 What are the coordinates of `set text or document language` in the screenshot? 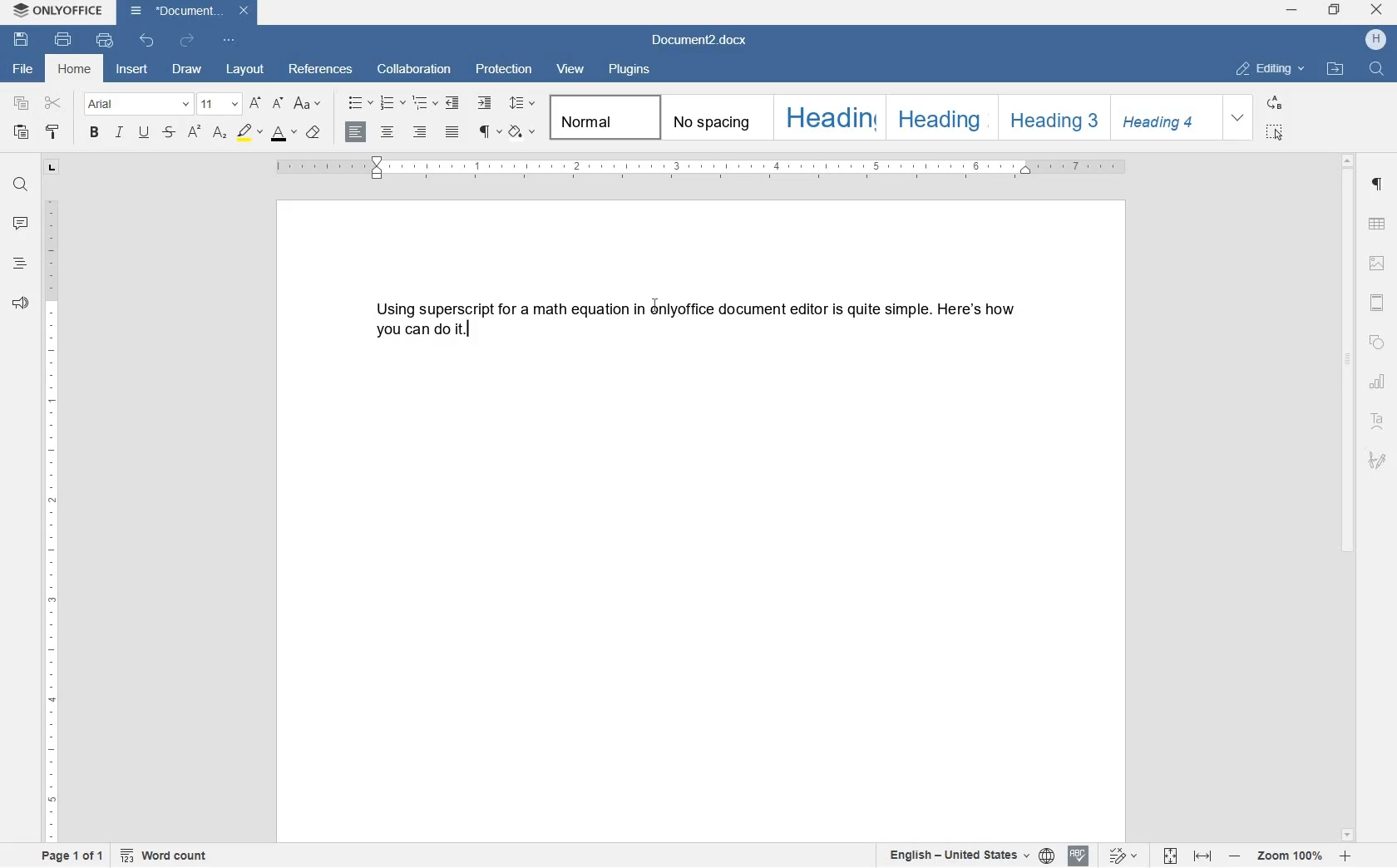 It's located at (971, 856).